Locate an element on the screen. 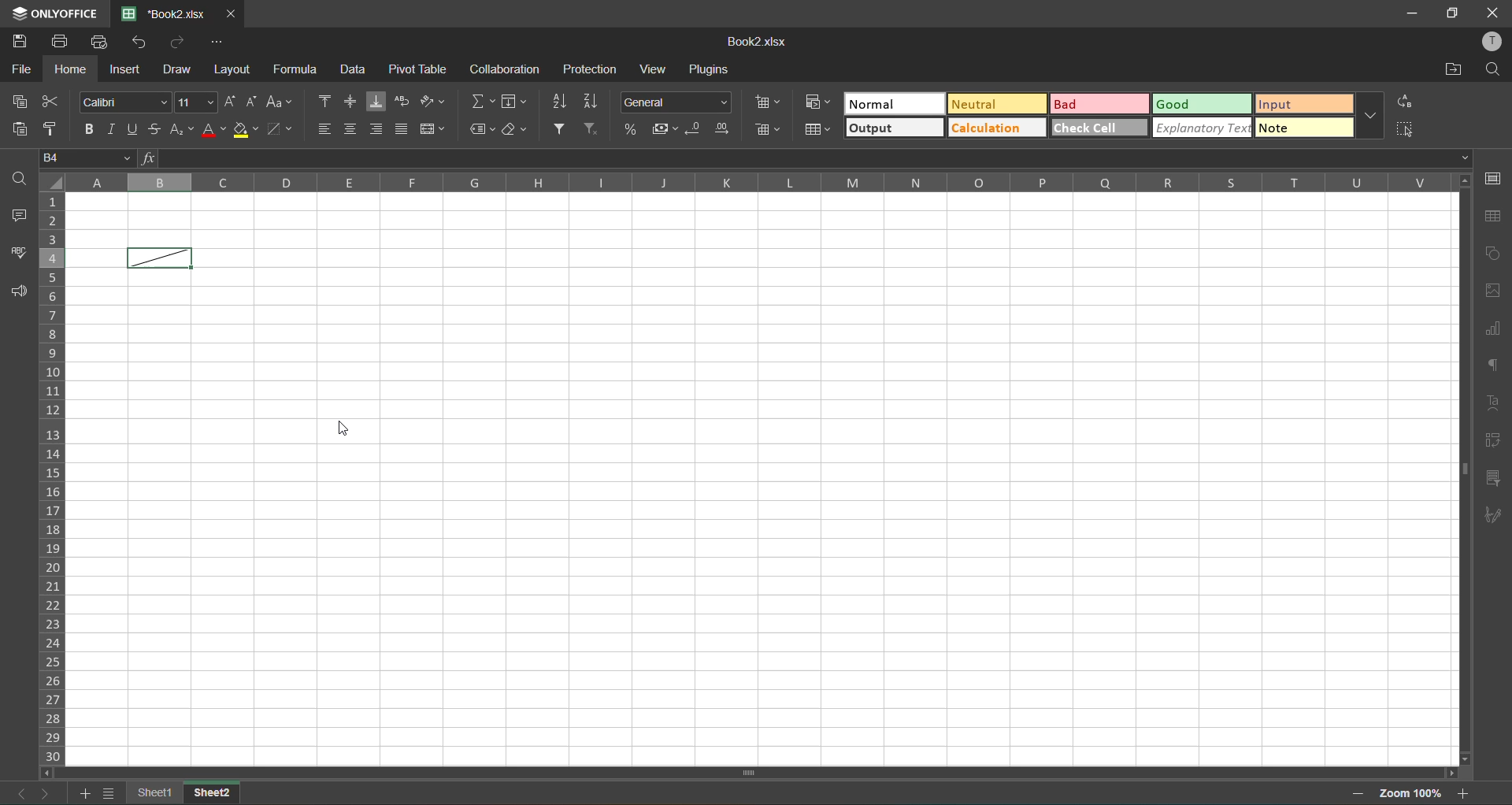  more options is located at coordinates (1376, 116).